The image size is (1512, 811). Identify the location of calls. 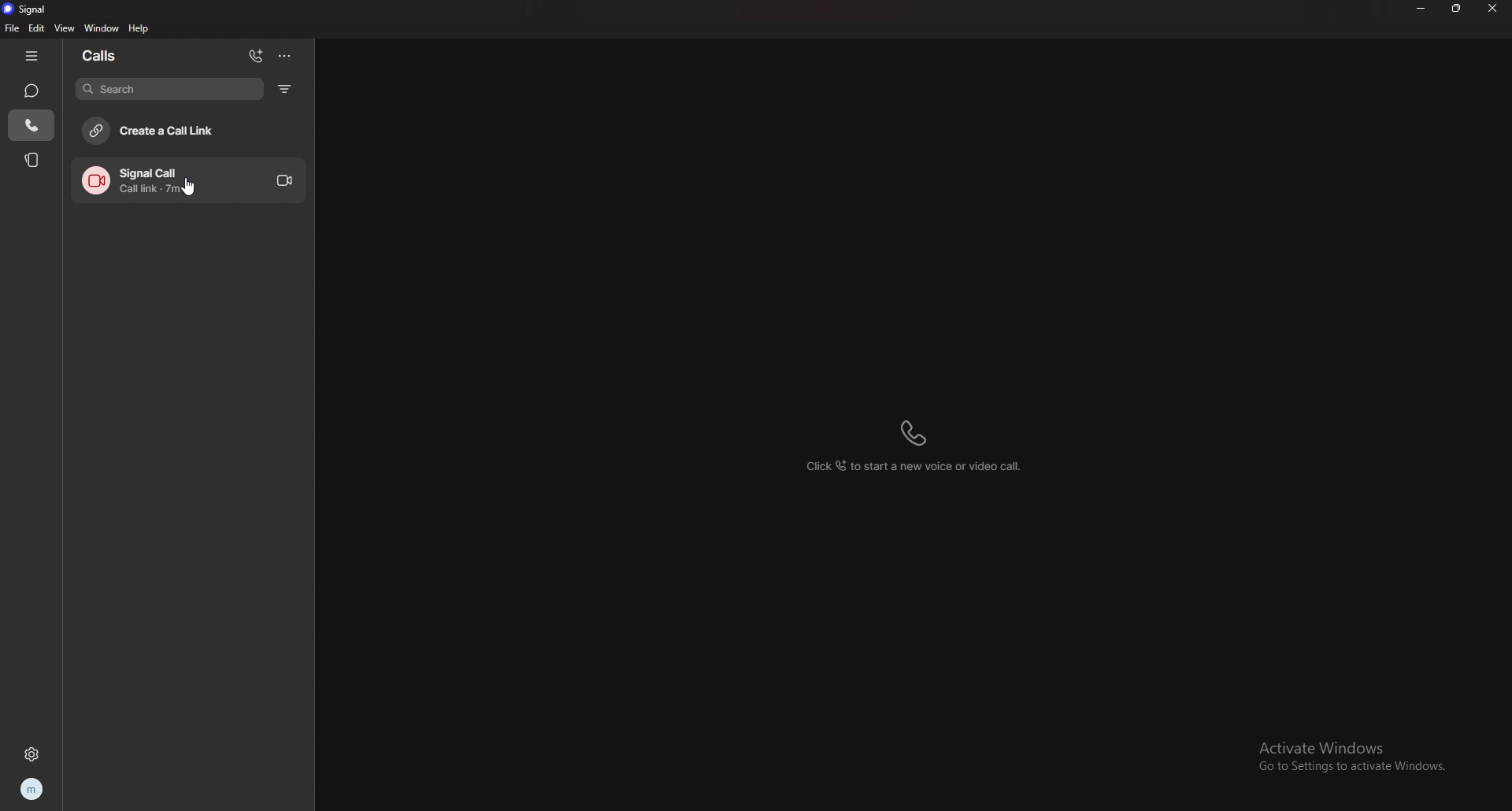
(32, 124).